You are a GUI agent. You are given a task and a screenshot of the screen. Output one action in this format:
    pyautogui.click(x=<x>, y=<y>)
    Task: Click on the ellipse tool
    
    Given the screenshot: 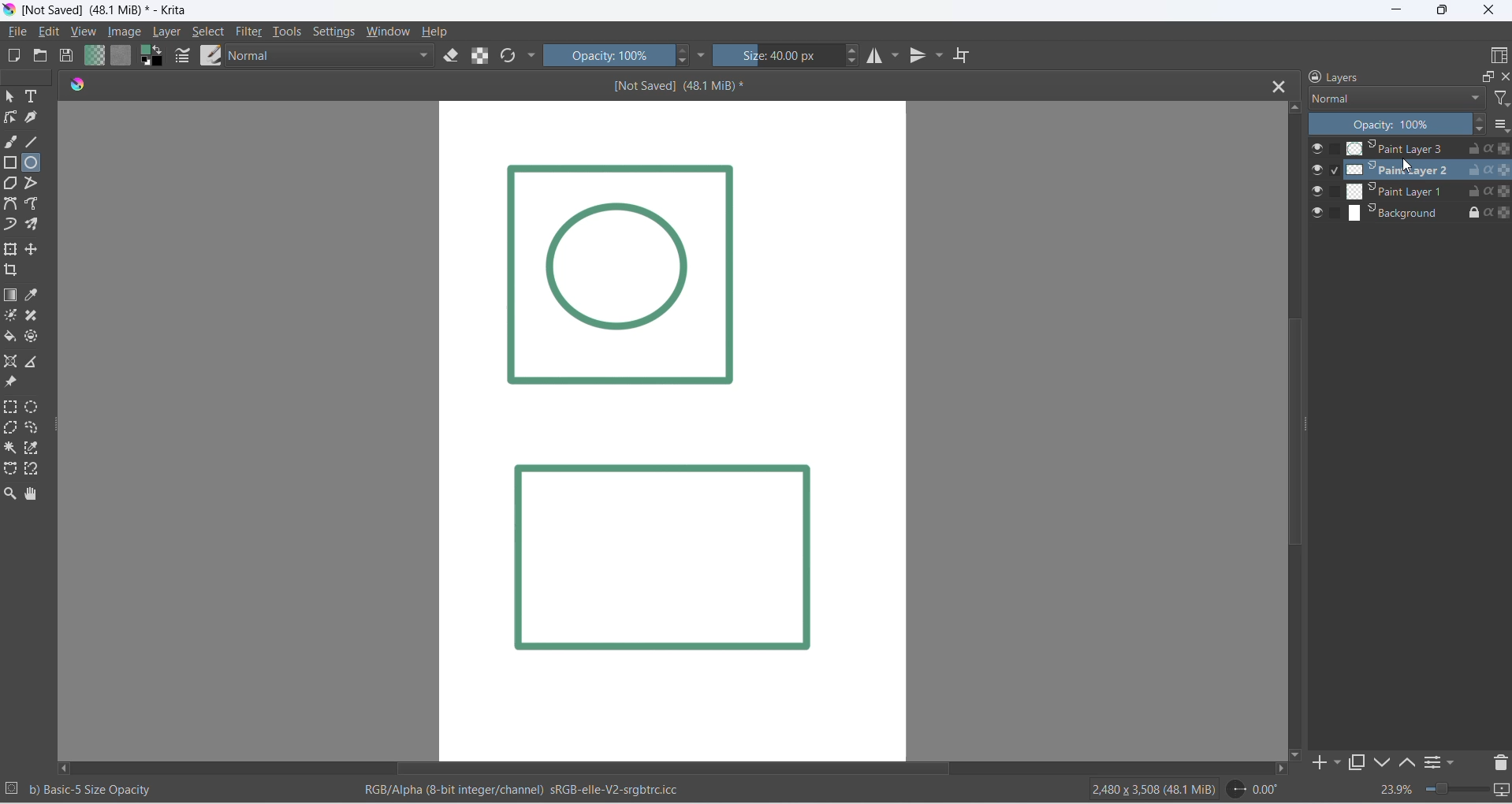 What is the action you would take?
    pyautogui.click(x=37, y=164)
    